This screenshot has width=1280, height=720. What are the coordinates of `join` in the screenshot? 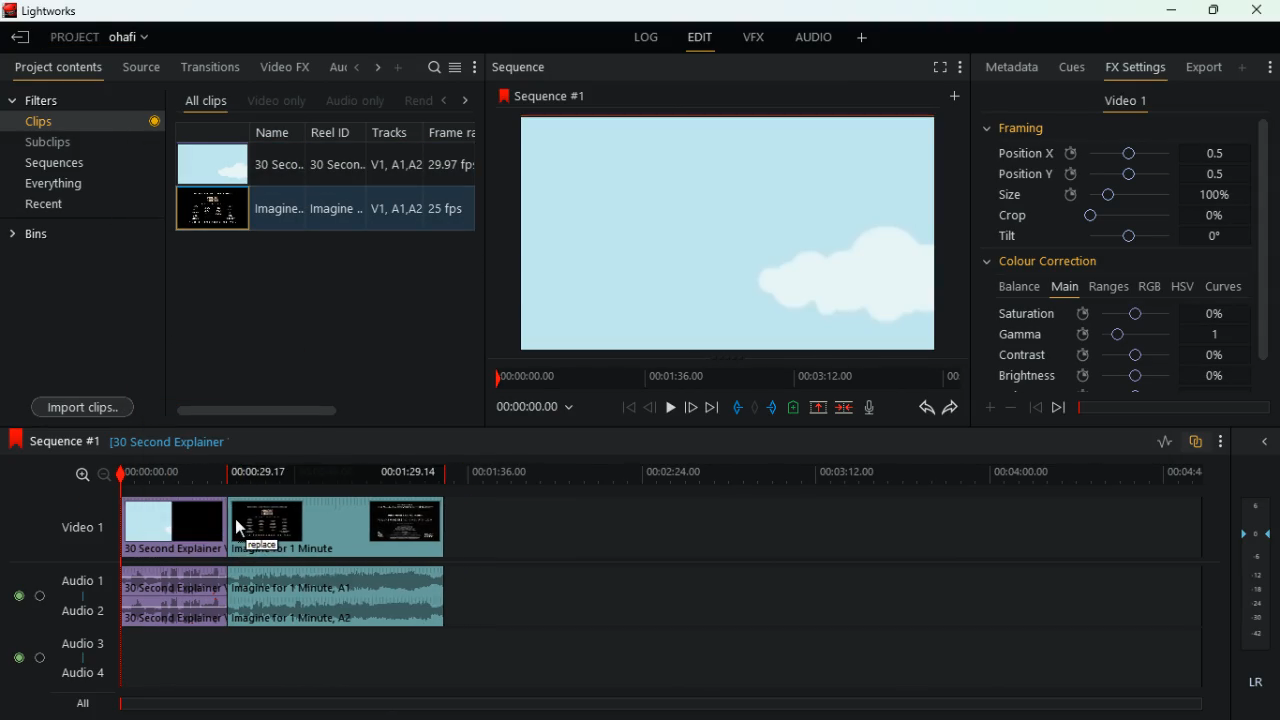 It's located at (843, 408).